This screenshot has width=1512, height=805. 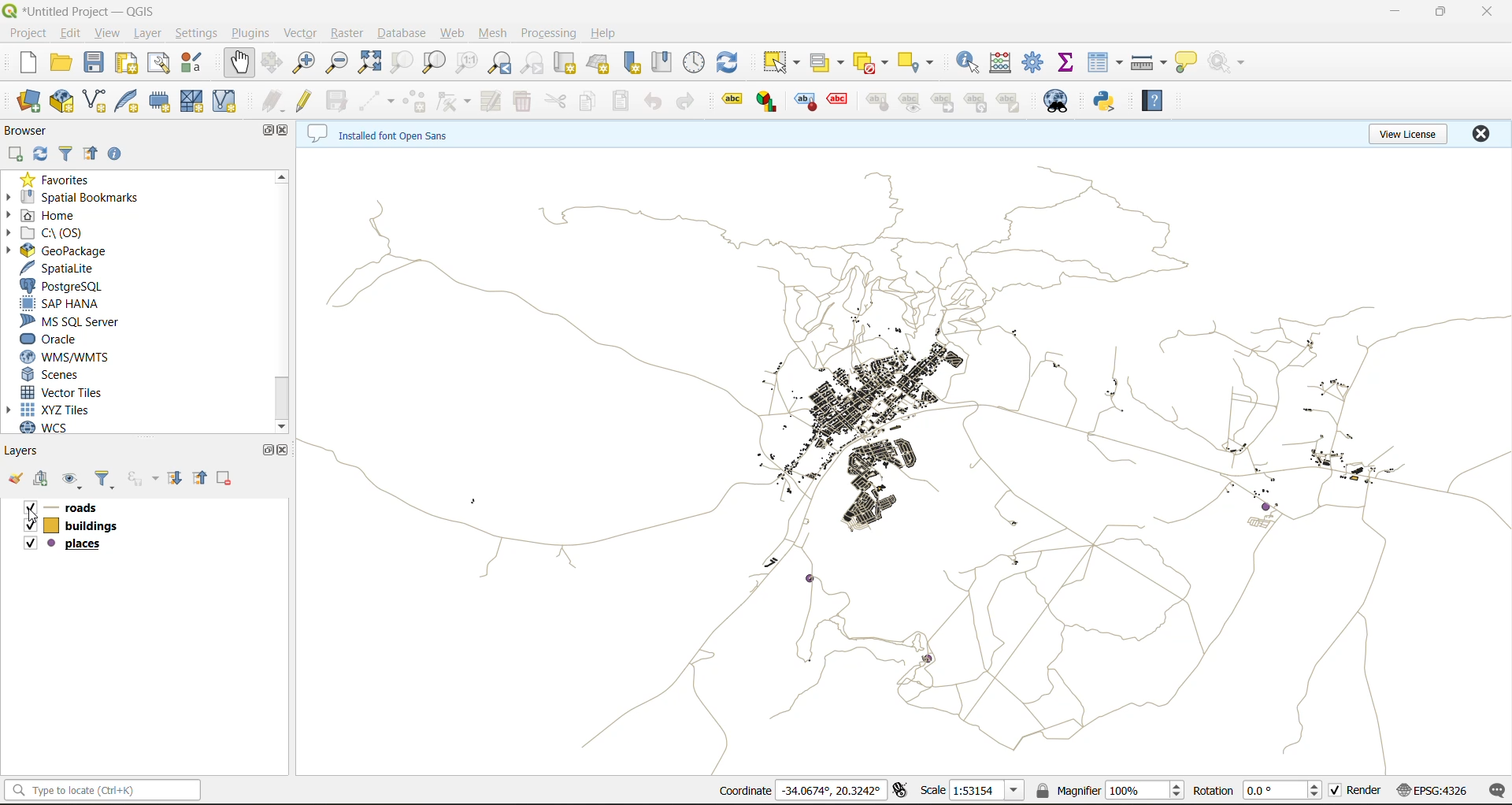 What do you see at coordinates (768, 104) in the screenshot?
I see `labels toolbar 2` at bounding box center [768, 104].